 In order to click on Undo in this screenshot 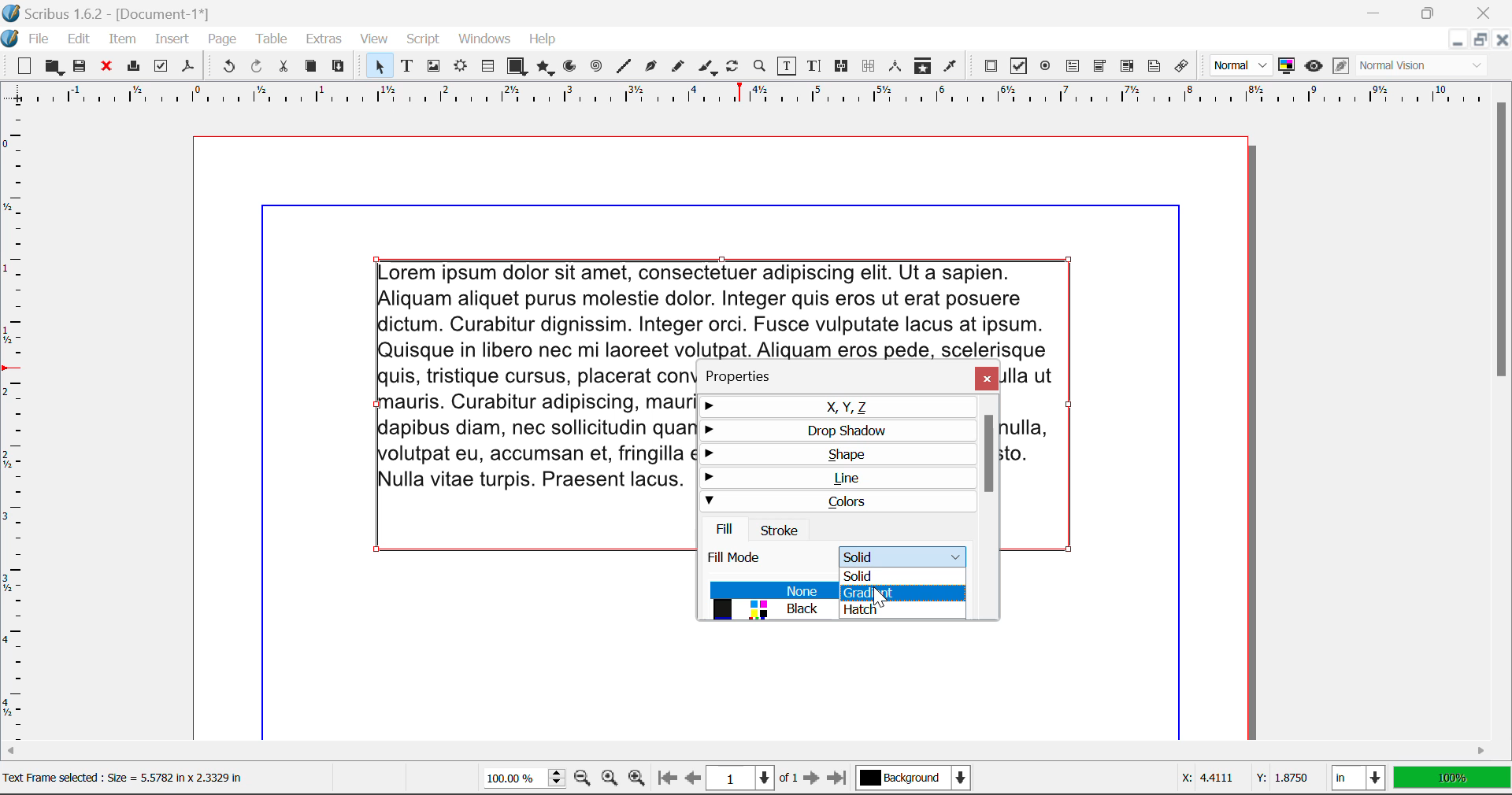, I will do `click(228, 68)`.